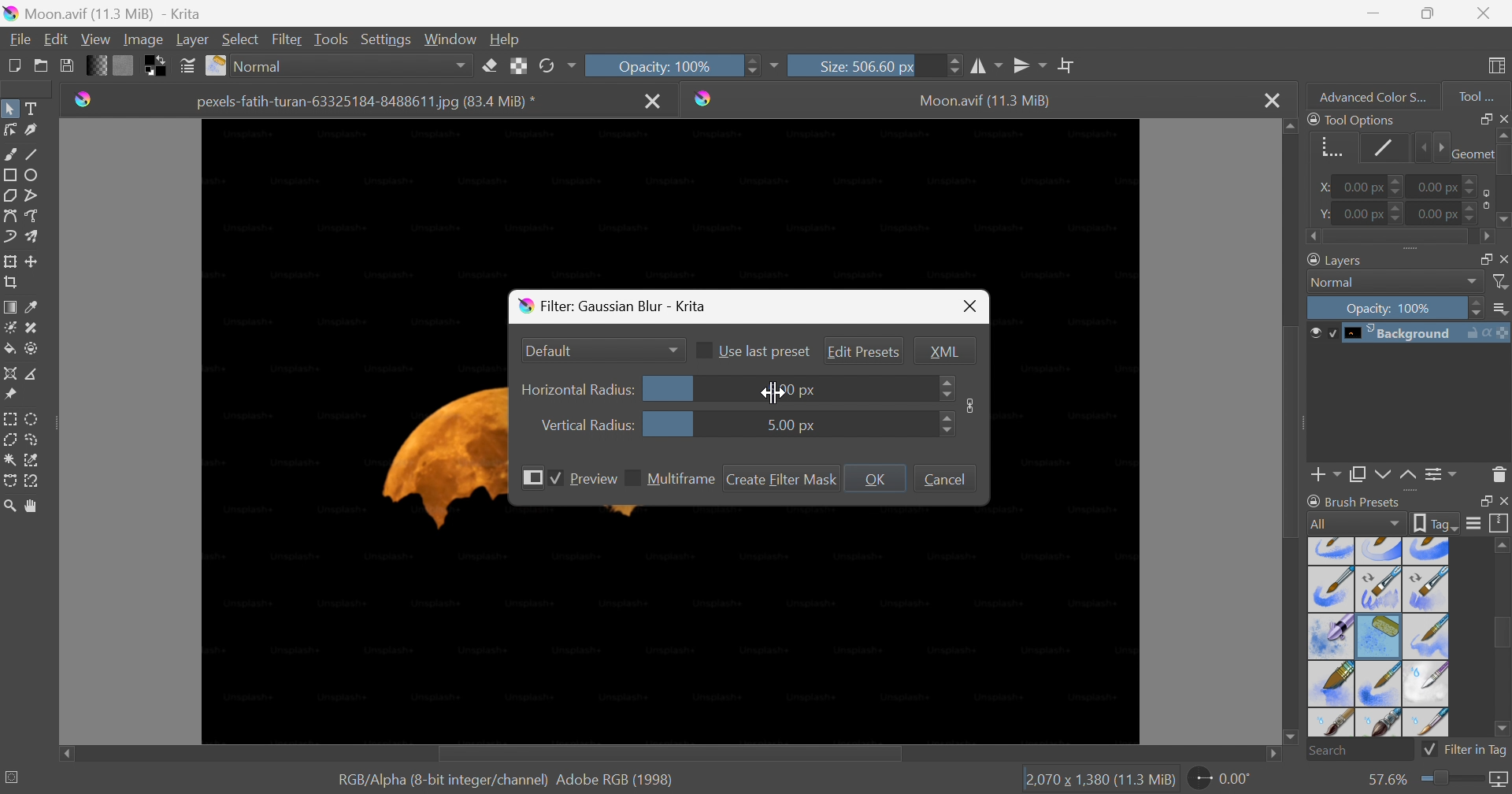  I want to click on OK, so click(873, 478).